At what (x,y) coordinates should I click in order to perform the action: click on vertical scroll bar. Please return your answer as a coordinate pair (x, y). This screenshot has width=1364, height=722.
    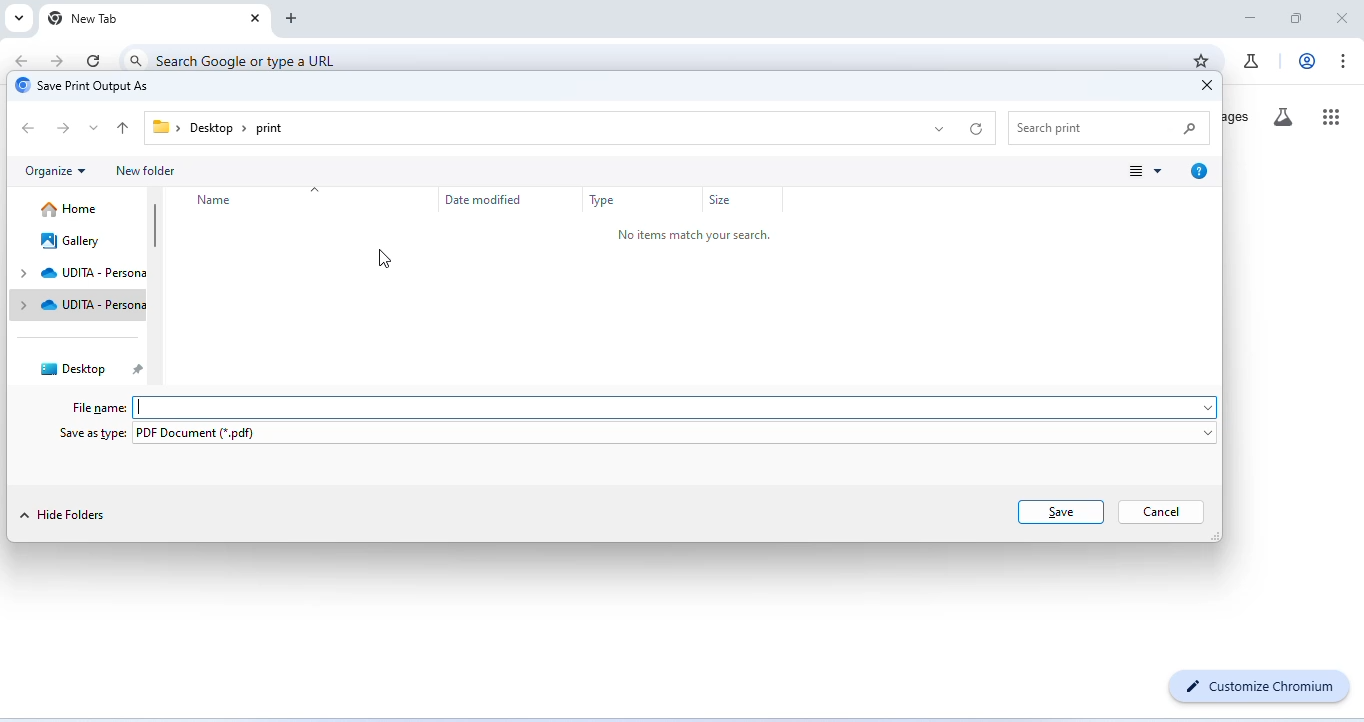
    Looking at the image, I should click on (153, 226).